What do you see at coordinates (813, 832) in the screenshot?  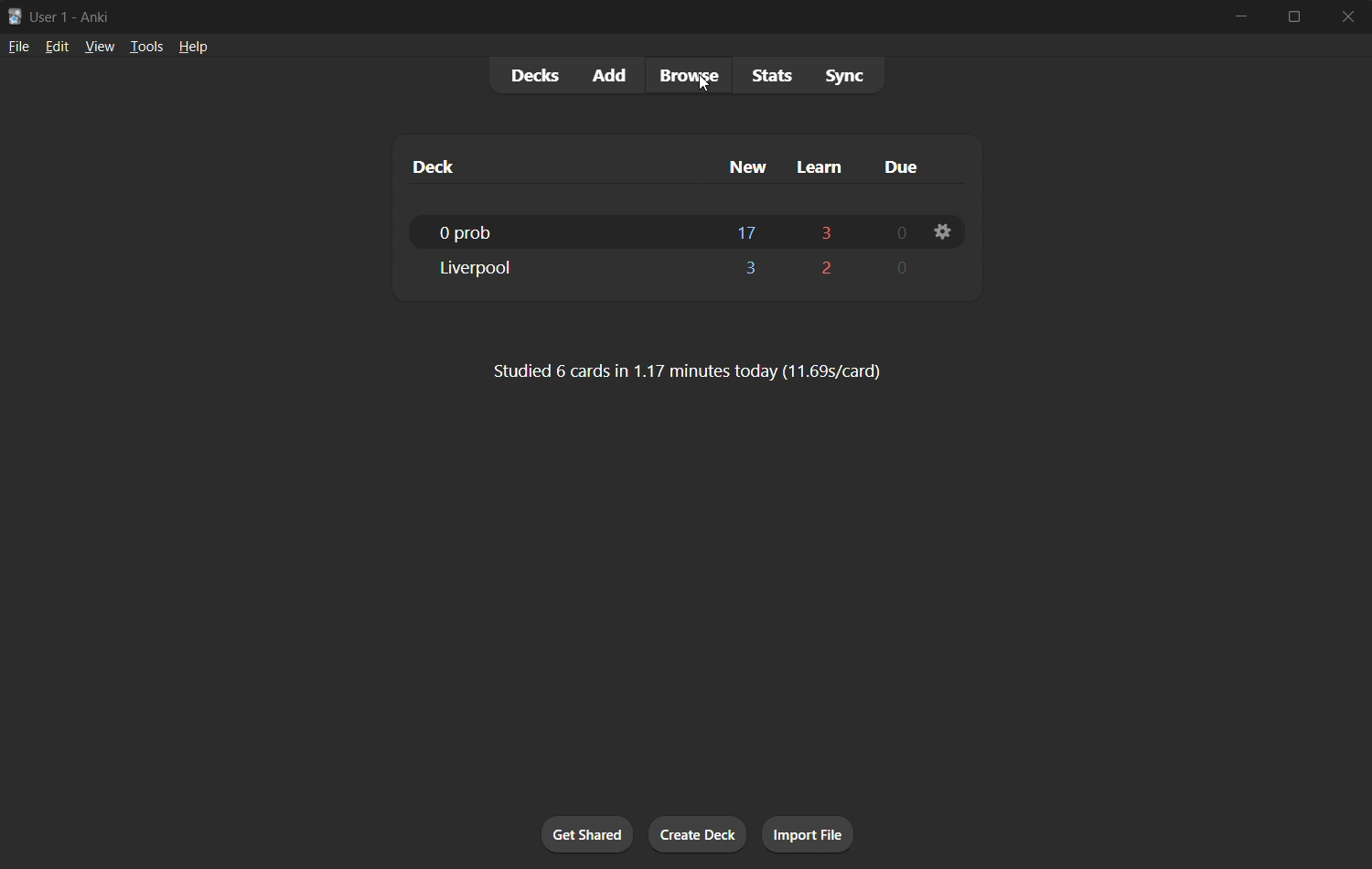 I see `import file` at bounding box center [813, 832].